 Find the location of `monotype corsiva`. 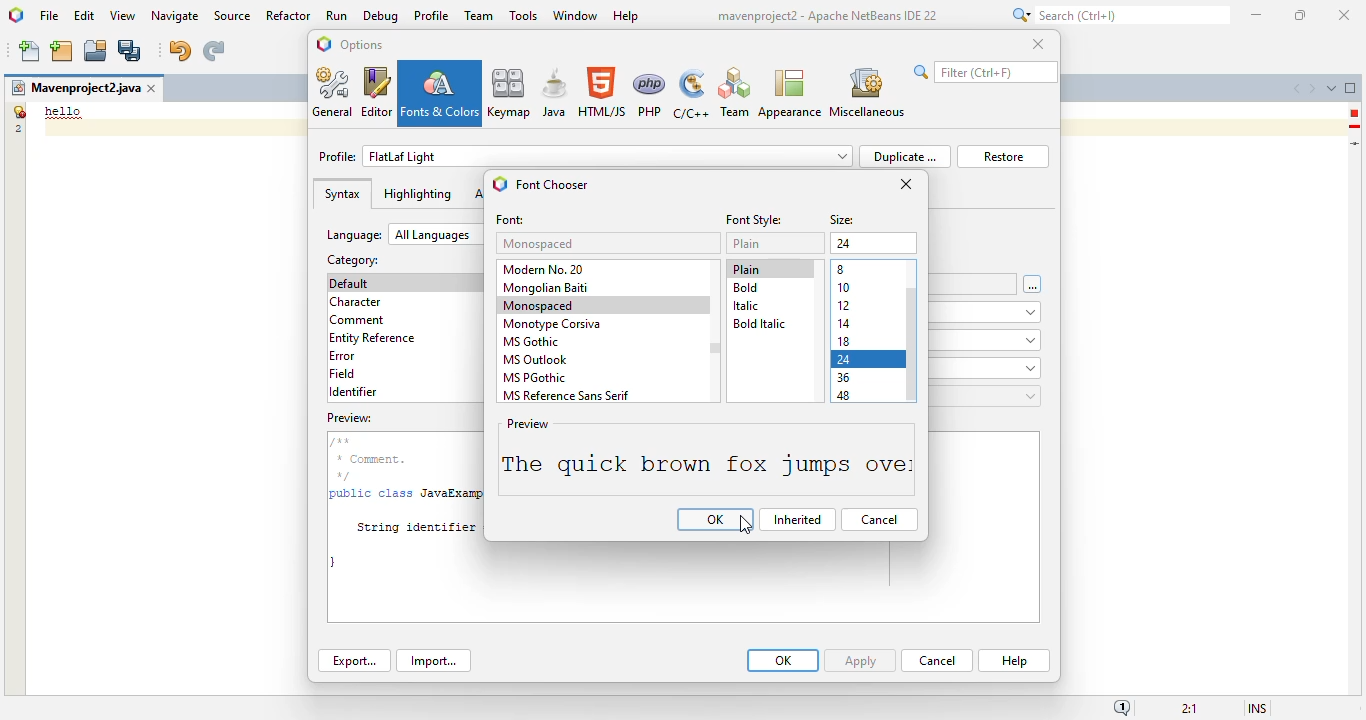

monotype corsiva is located at coordinates (552, 325).